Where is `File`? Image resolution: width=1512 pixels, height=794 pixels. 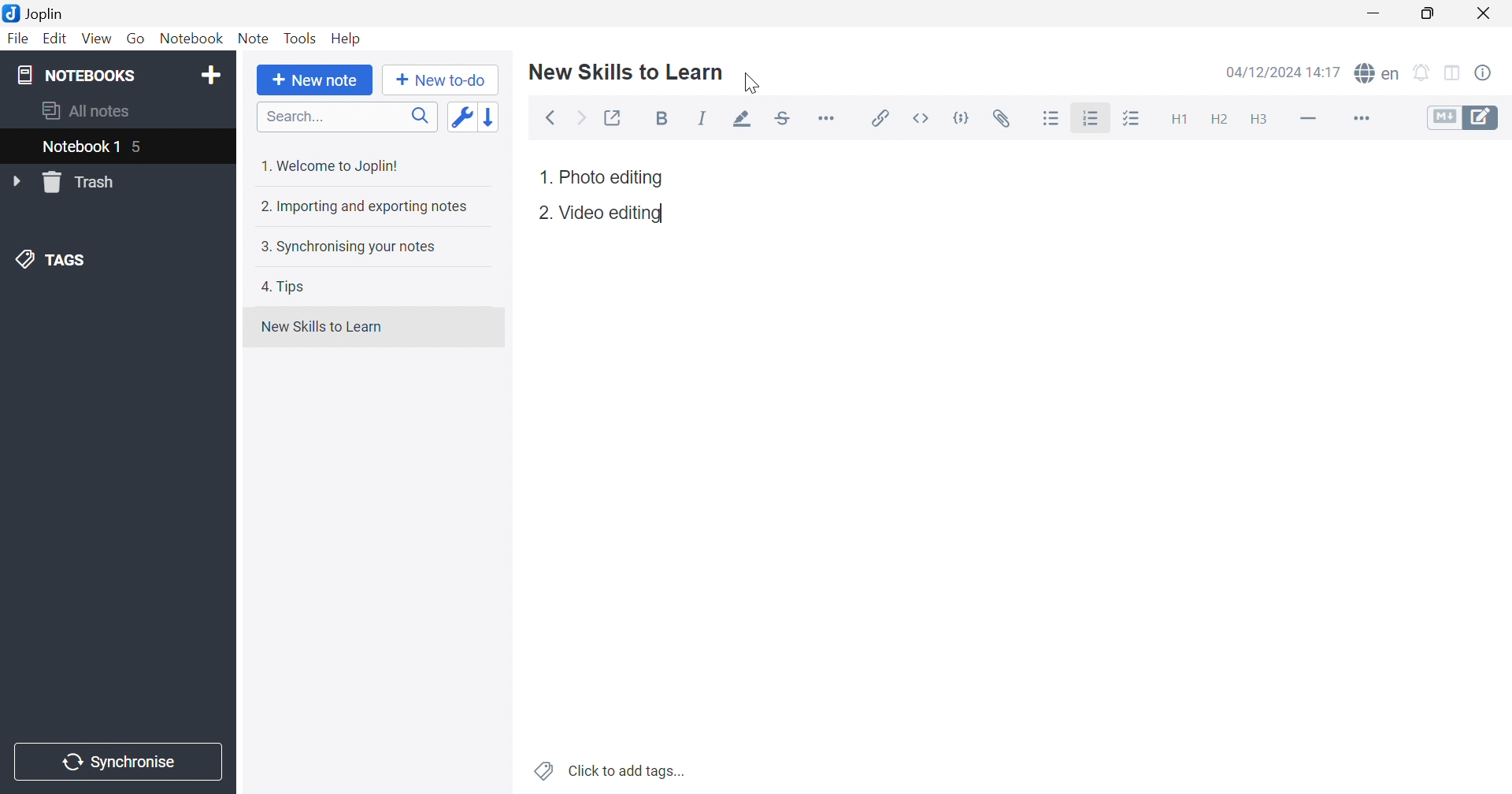 File is located at coordinates (19, 39).